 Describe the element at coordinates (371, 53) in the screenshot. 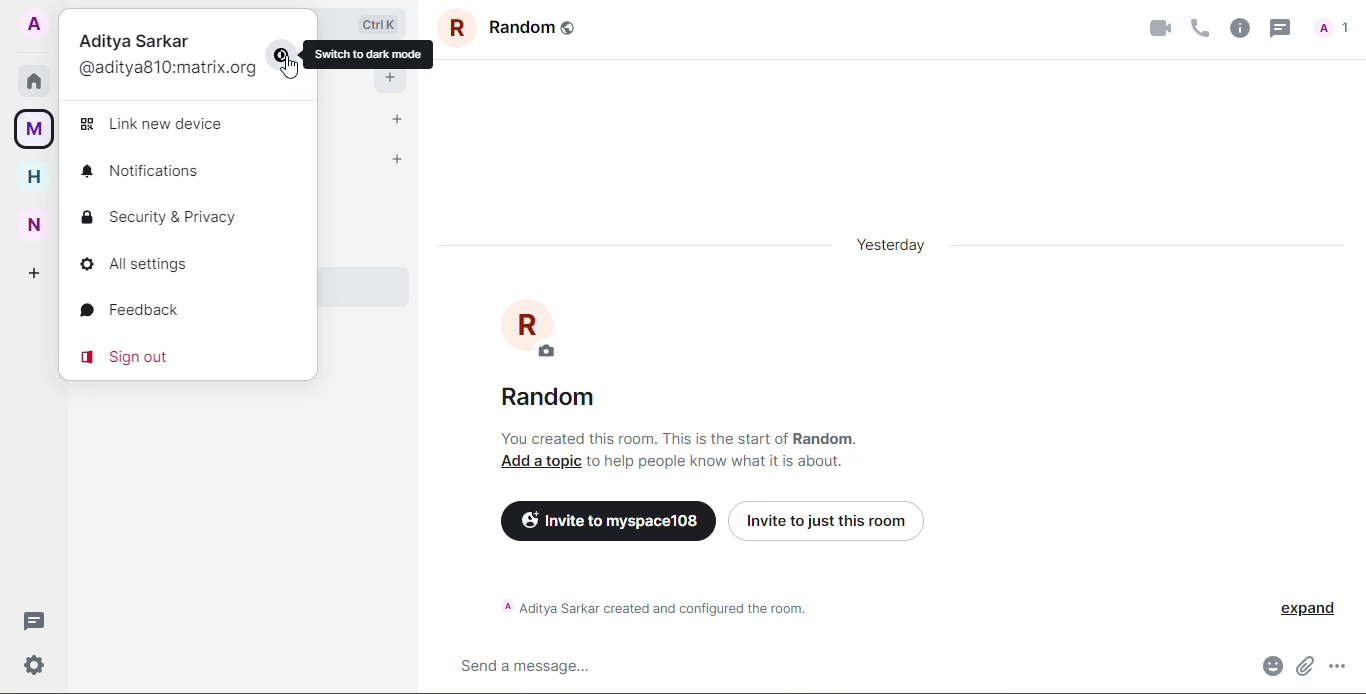

I see `switch to dark mode` at that location.